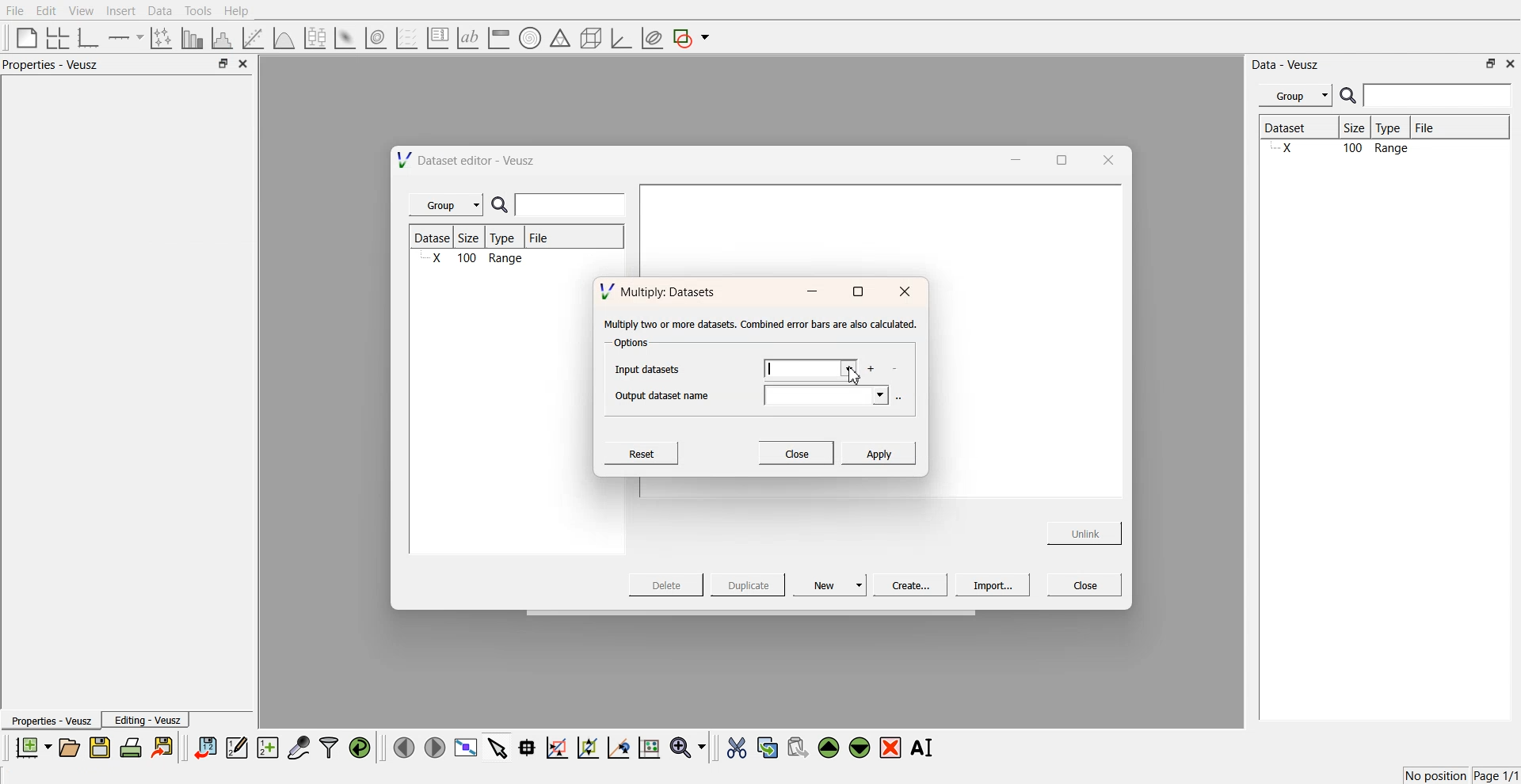 The height and width of the screenshot is (784, 1521). What do you see at coordinates (796, 747) in the screenshot?
I see `paste the selected widgets` at bounding box center [796, 747].